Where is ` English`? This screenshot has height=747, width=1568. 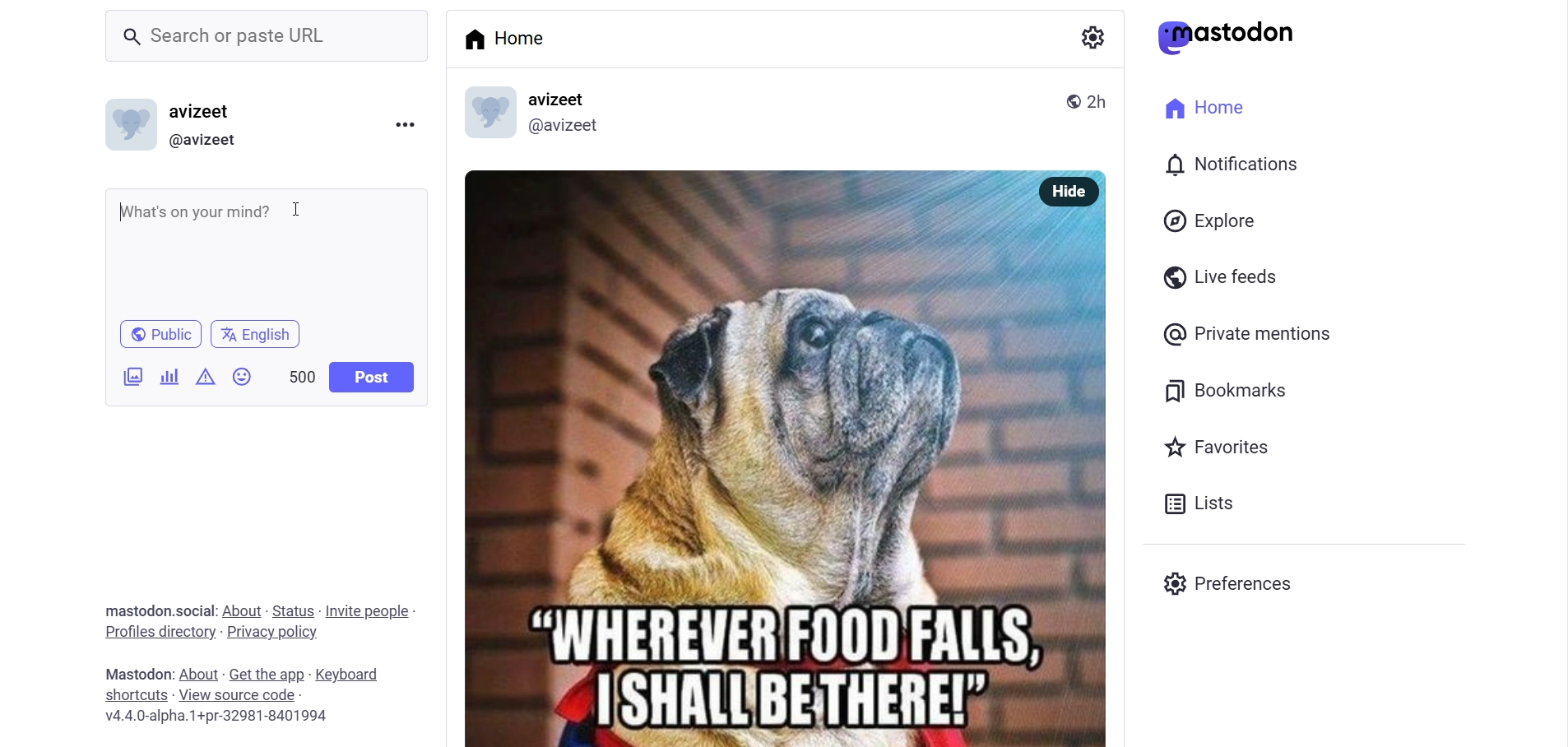
 English is located at coordinates (257, 333).